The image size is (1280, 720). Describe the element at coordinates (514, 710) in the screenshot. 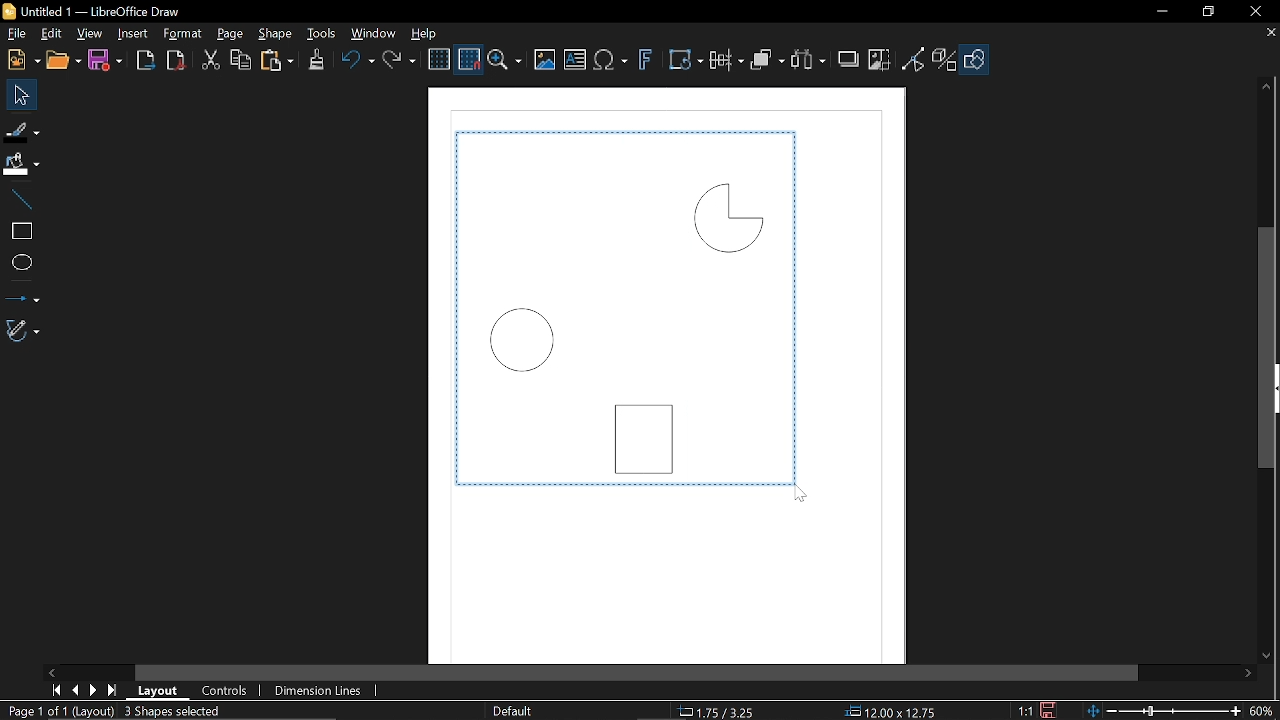

I see `slide Master name` at that location.